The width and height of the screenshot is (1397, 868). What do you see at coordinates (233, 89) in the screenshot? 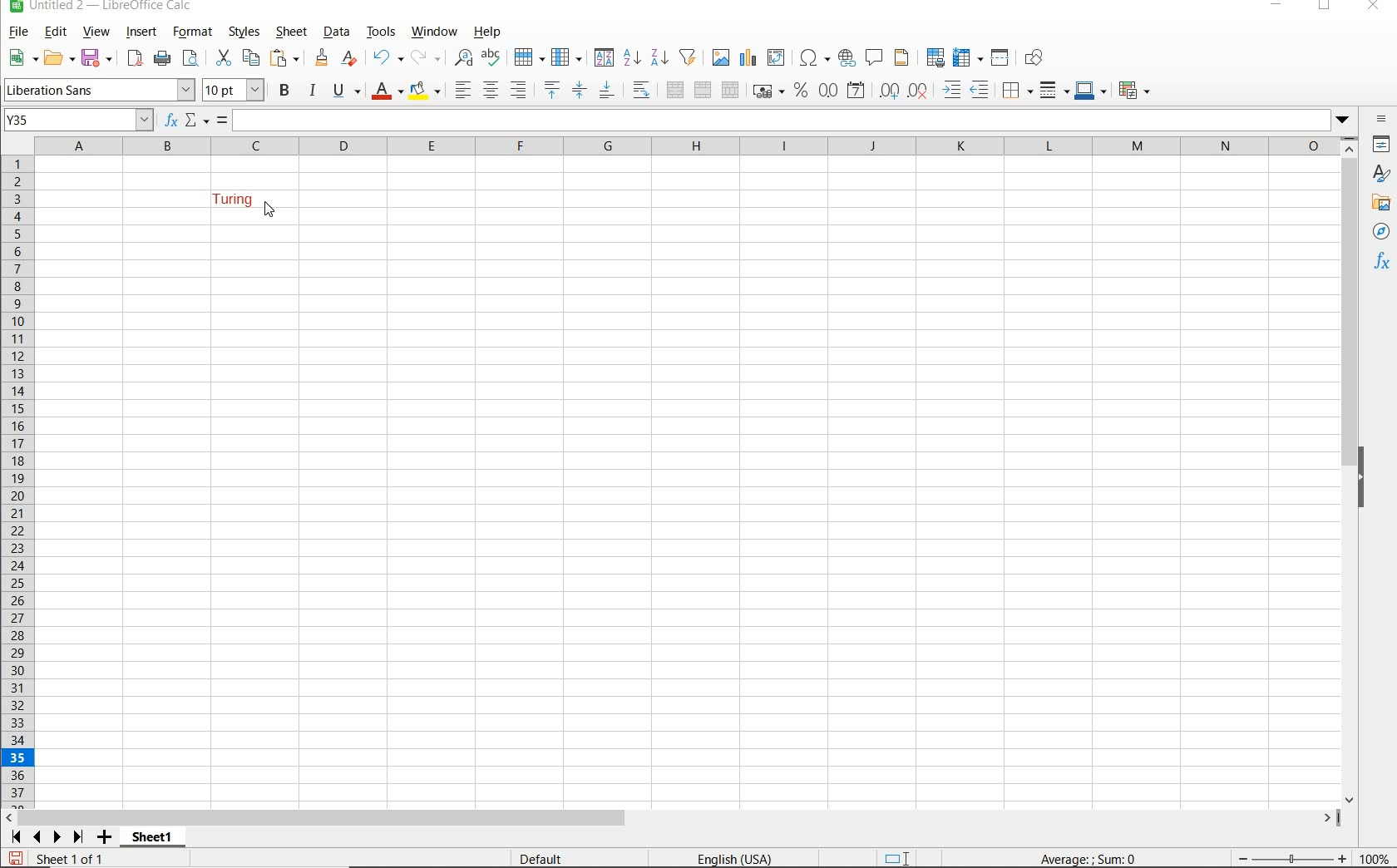
I see `FONT SIZE` at bounding box center [233, 89].